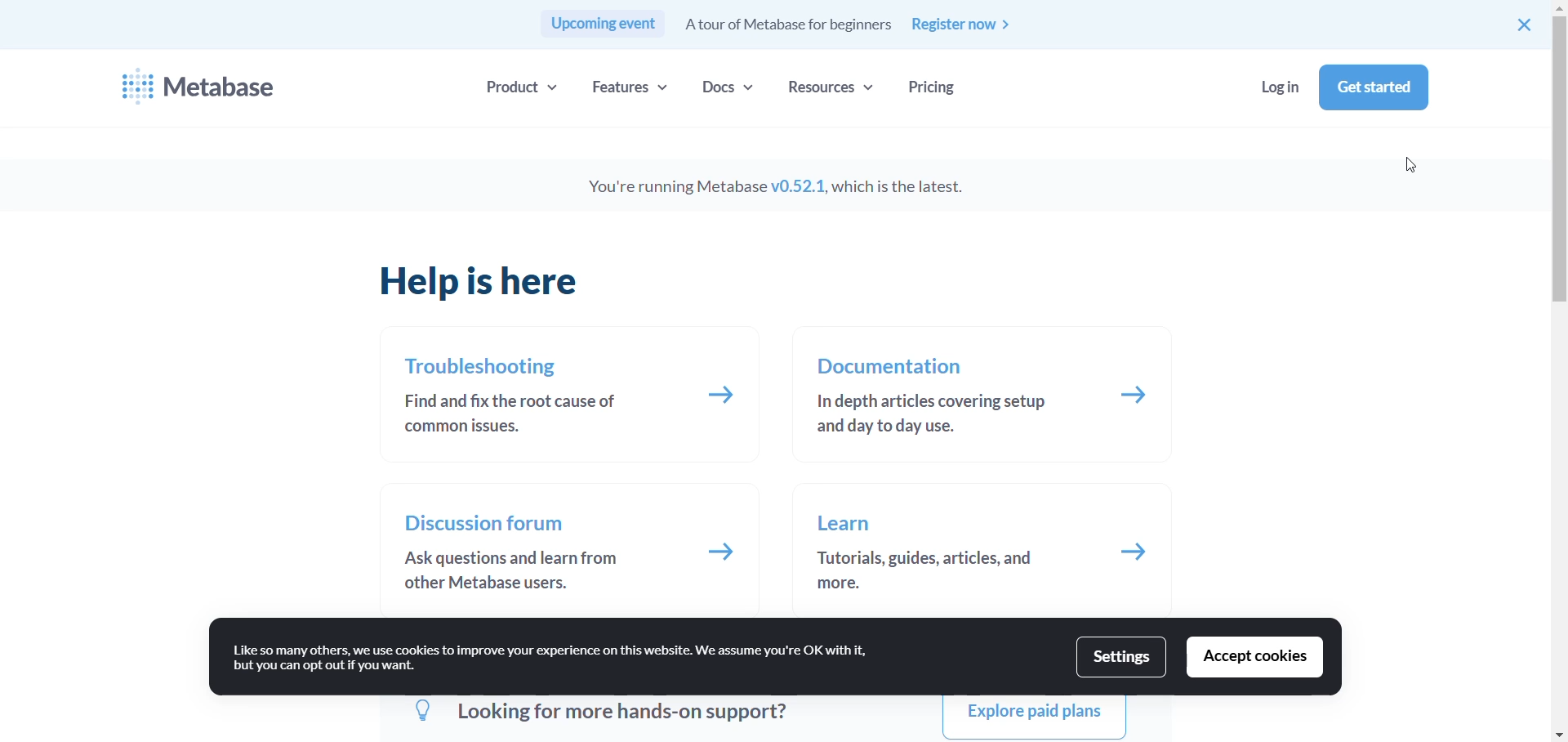  What do you see at coordinates (602, 25) in the screenshot?
I see `Upcoming event` at bounding box center [602, 25].